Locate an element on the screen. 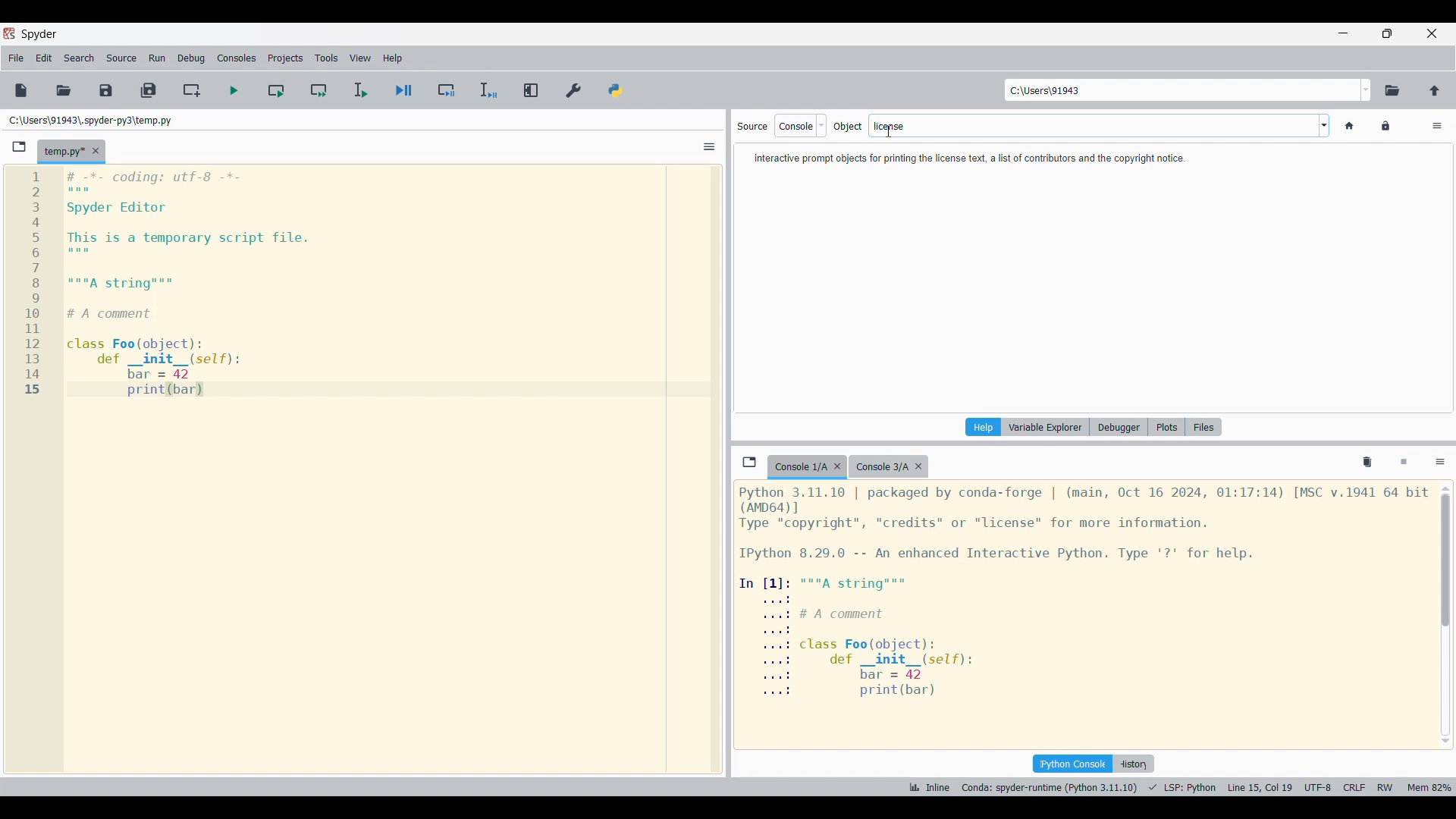 This screenshot has height=819, width=1456. Canada: spyder-runtime (Python 3.11.10) is located at coordinates (1047, 786).